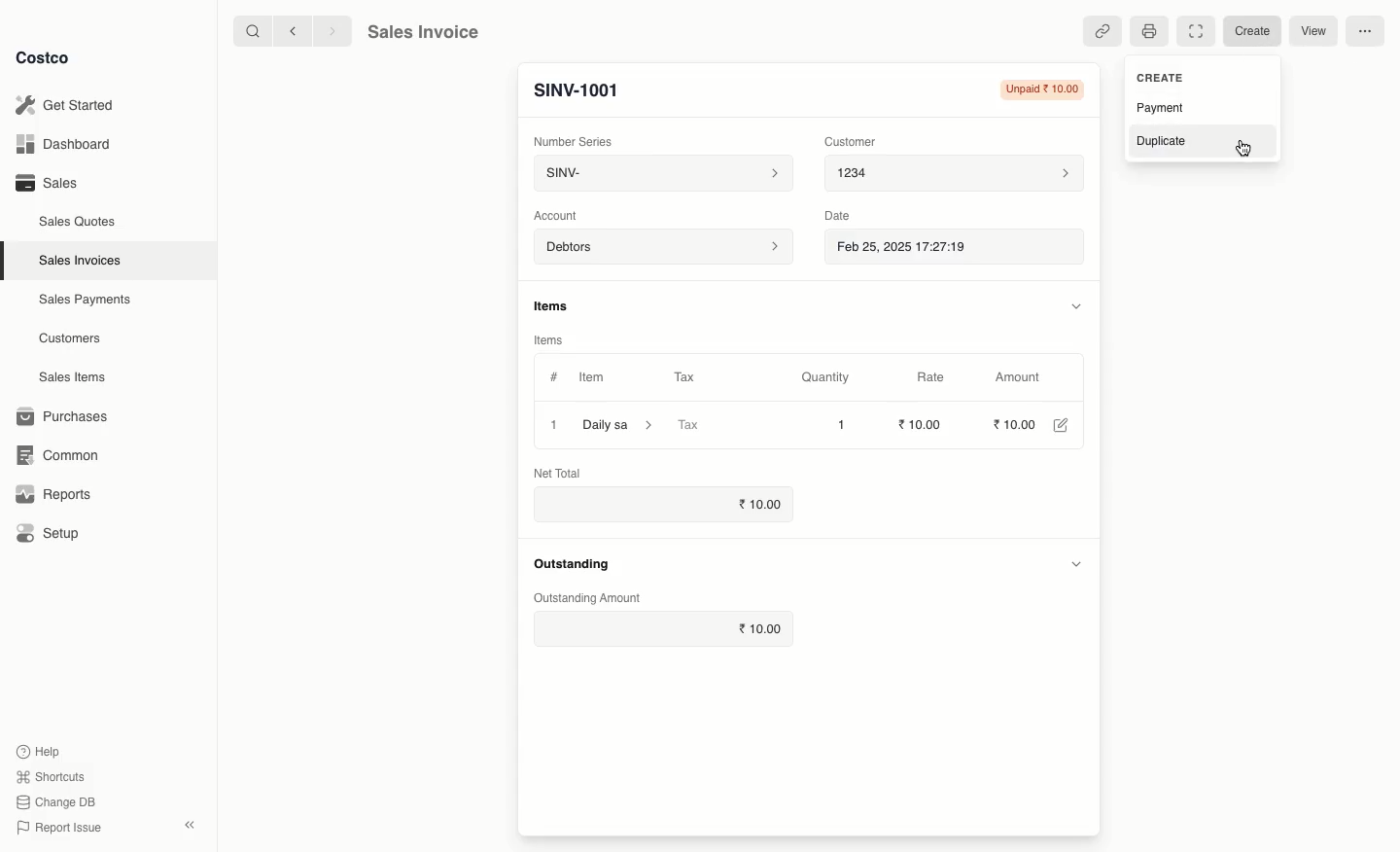 The height and width of the screenshot is (852, 1400). I want to click on Edit, so click(1060, 425).